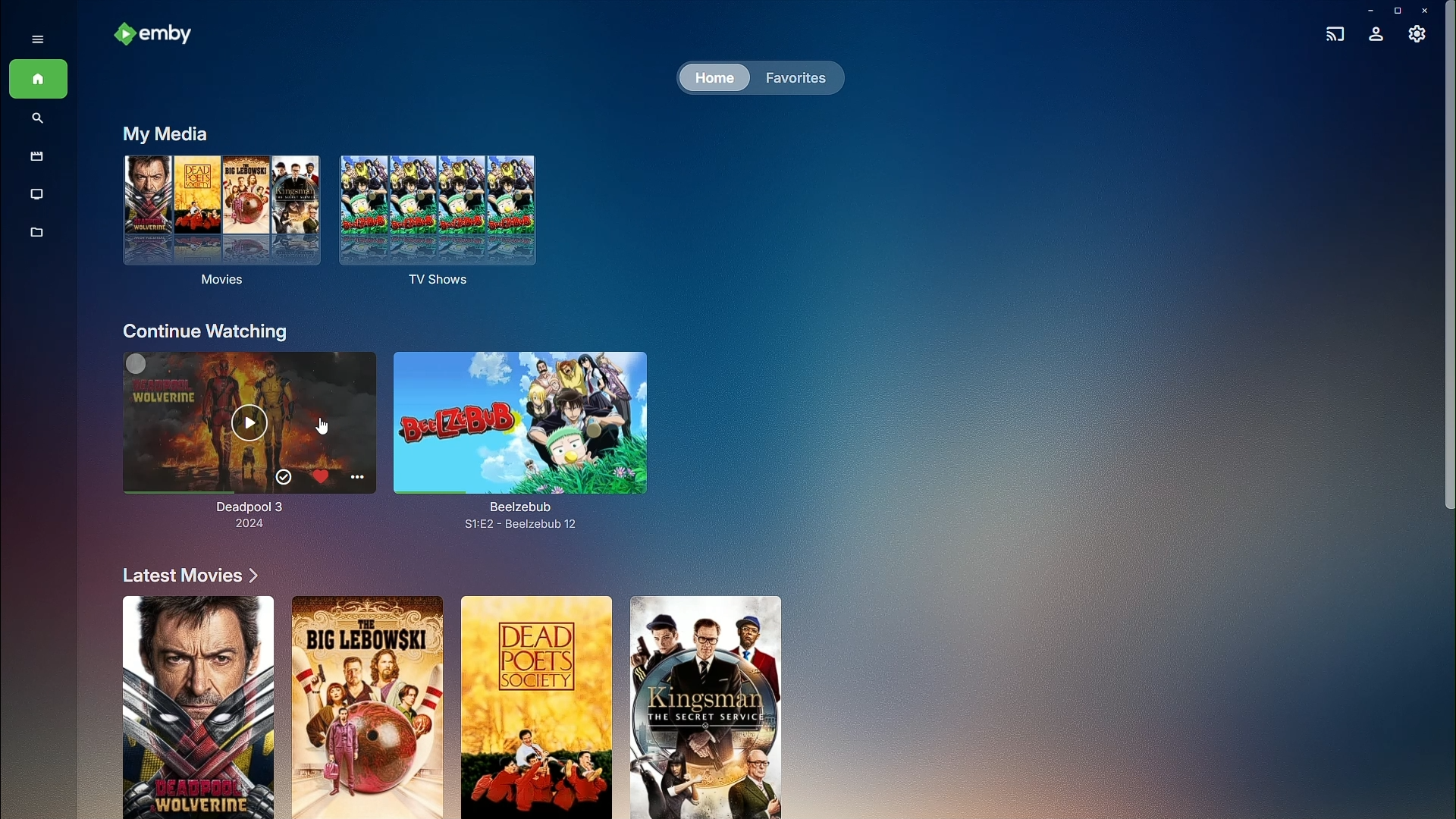  I want to click on Latest Movies, so click(190, 576).